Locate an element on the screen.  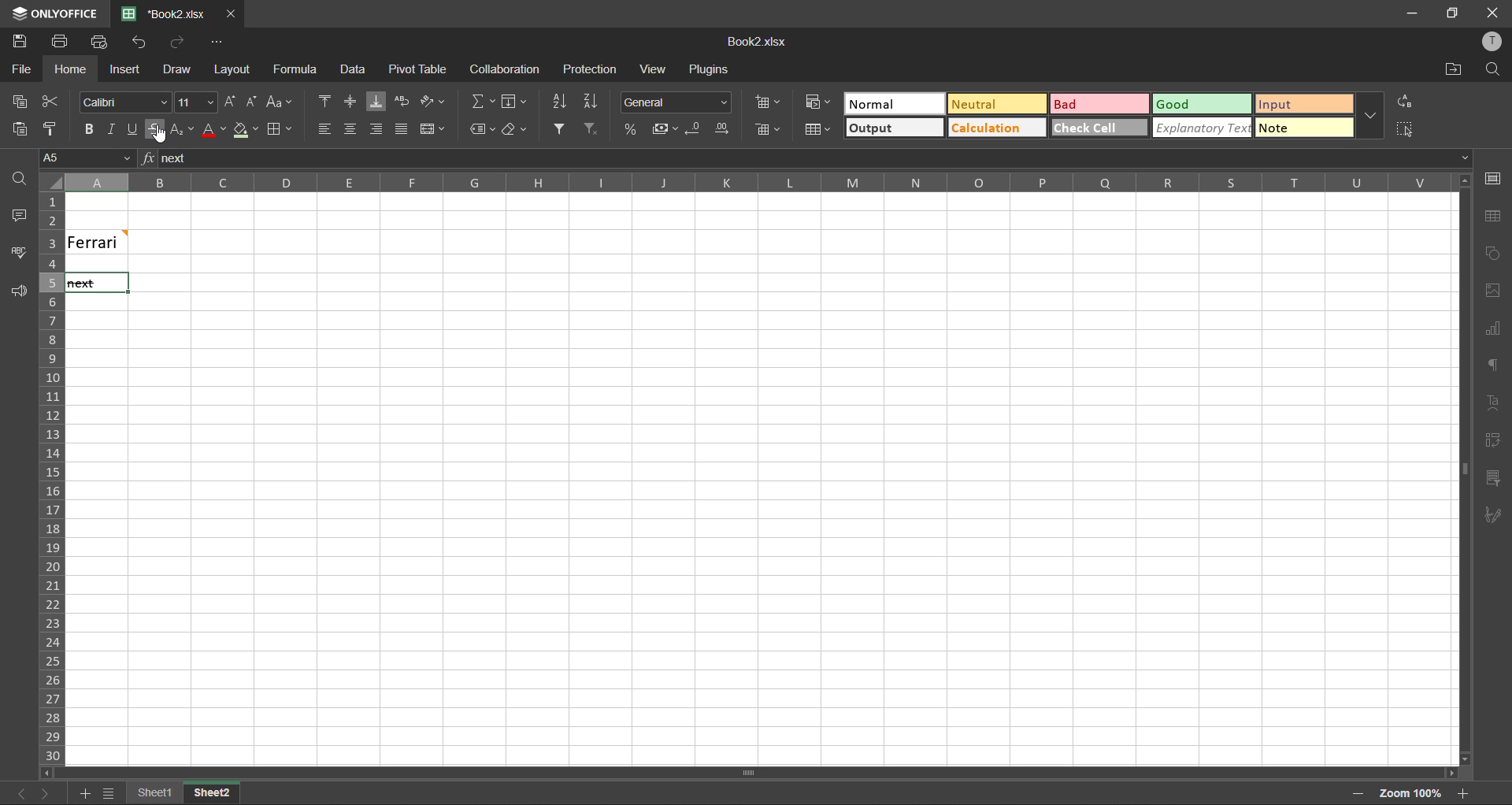
font color is located at coordinates (212, 131).